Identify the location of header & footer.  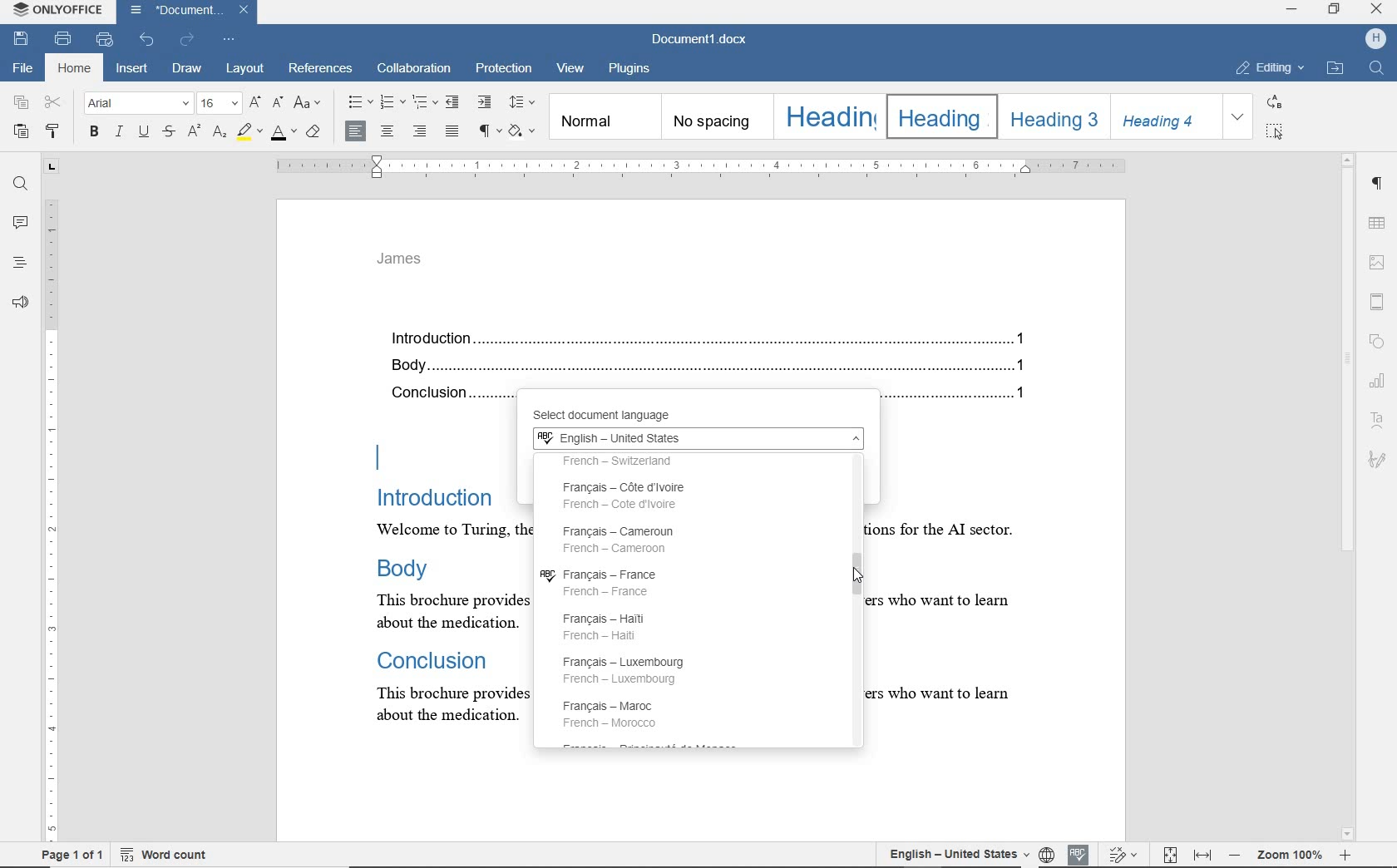
(1380, 301).